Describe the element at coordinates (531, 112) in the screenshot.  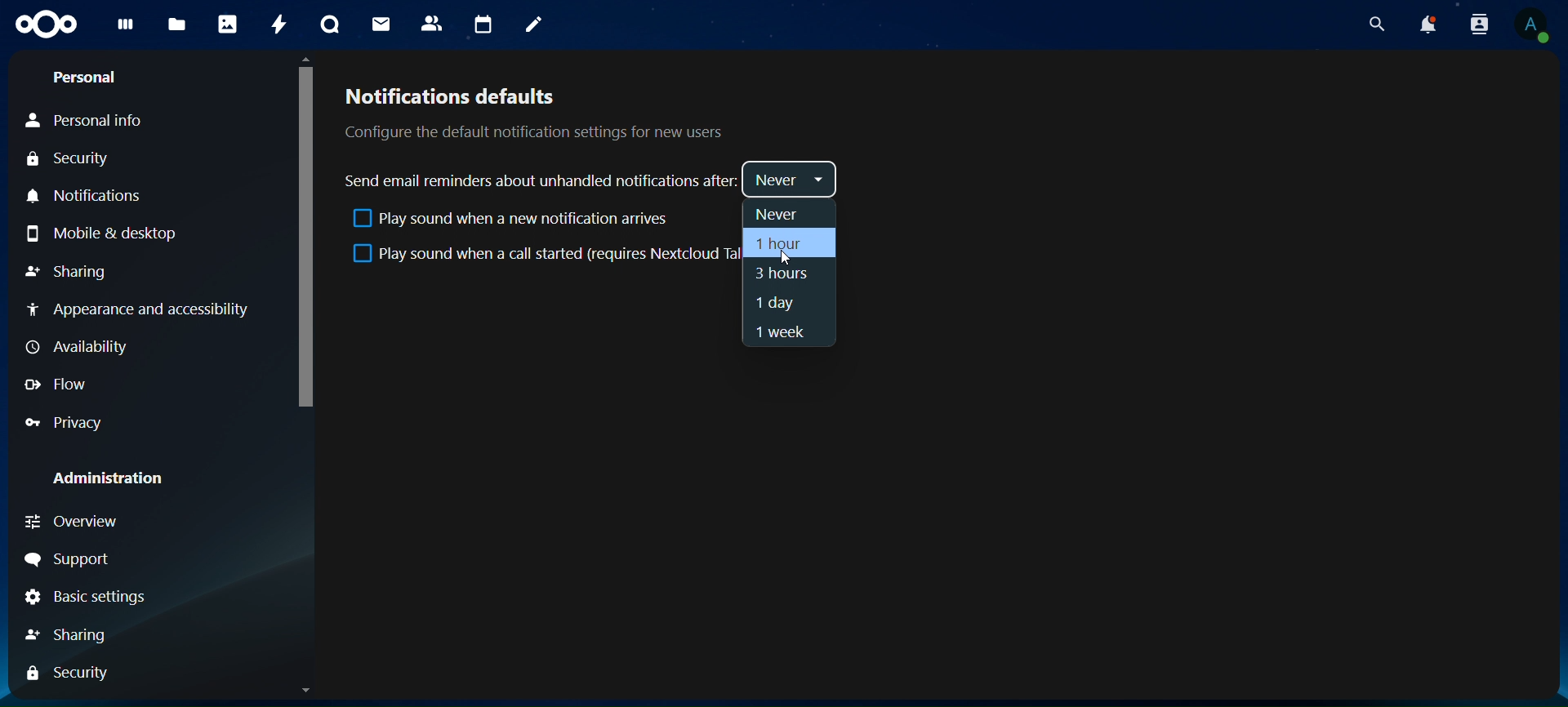
I see `notification defaults` at that location.